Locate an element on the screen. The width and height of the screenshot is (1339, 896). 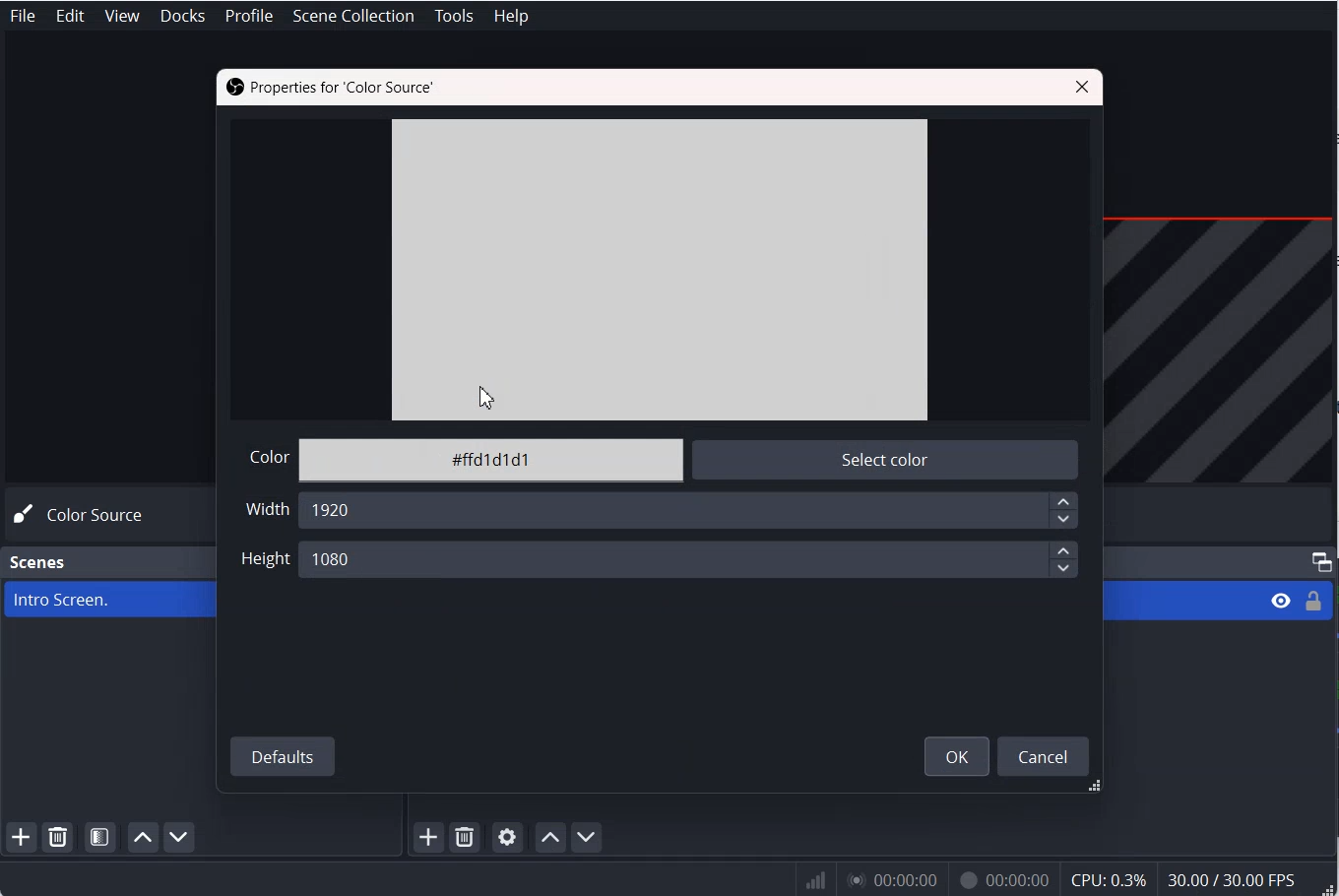
Add Source is located at coordinates (428, 838).